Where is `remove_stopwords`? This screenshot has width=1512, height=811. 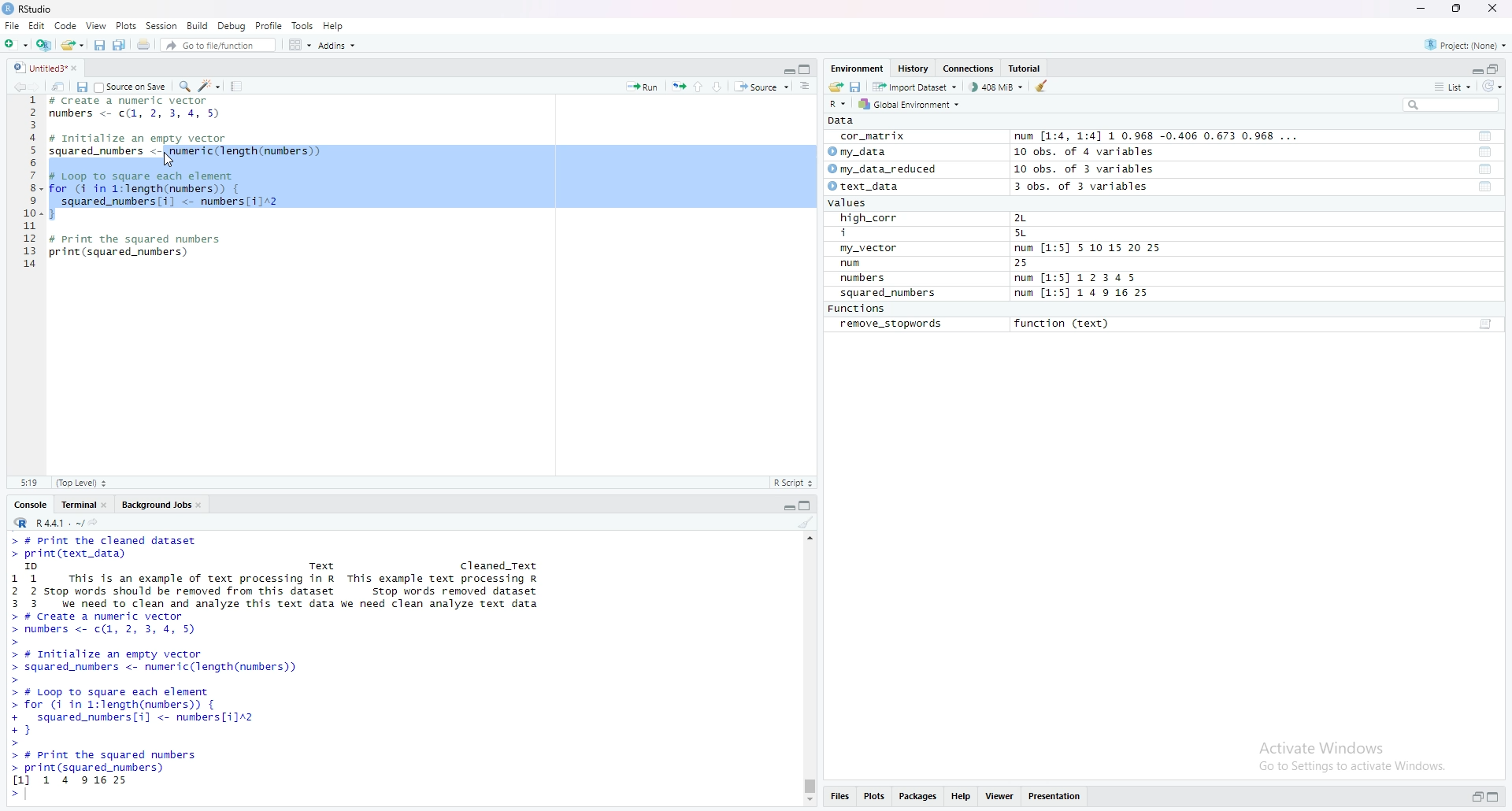
remove_stopwords is located at coordinates (891, 324).